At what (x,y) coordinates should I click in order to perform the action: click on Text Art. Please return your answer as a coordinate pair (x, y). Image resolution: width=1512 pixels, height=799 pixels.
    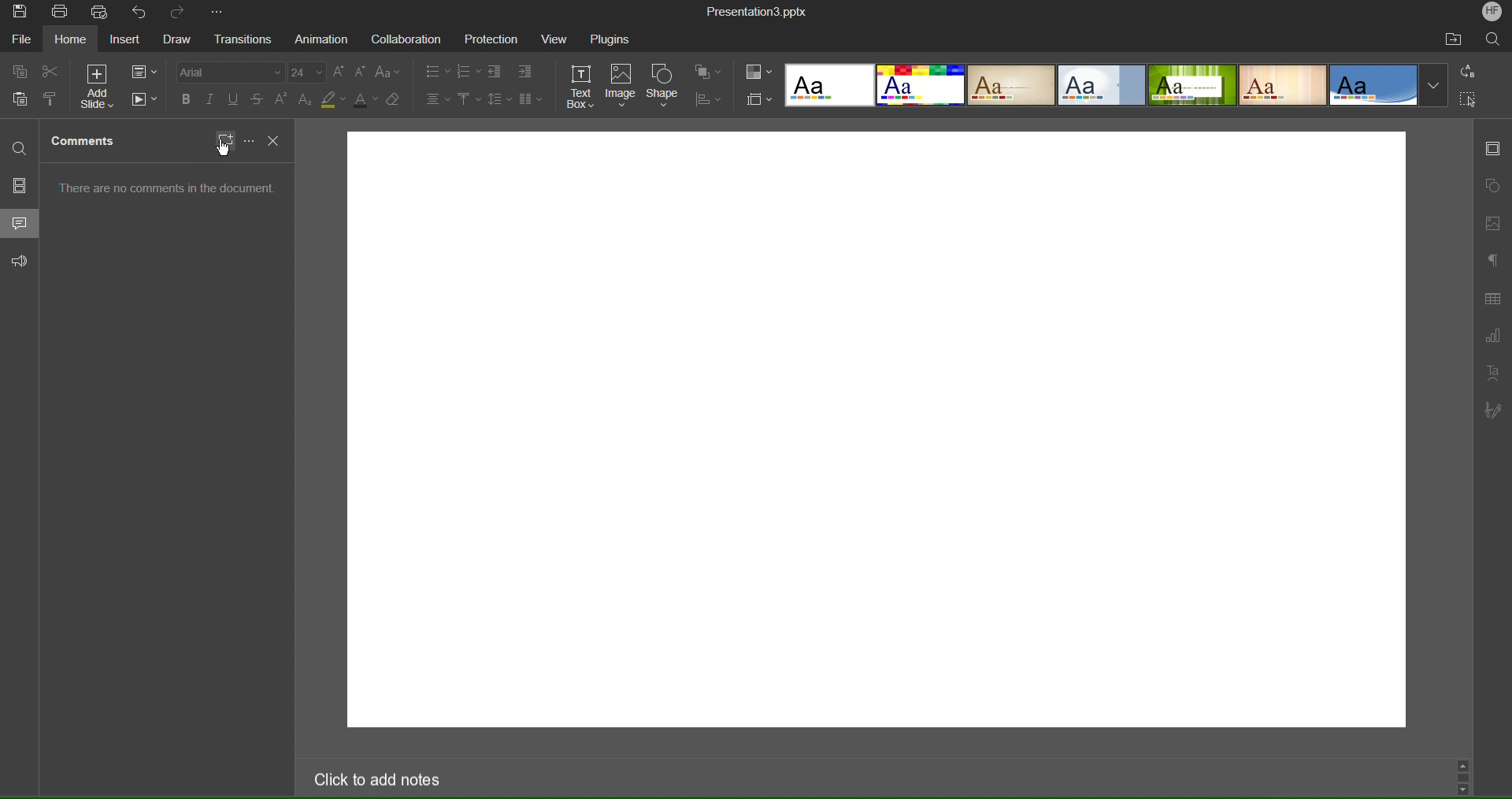
    Looking at the image, I should click on (1492, 373).